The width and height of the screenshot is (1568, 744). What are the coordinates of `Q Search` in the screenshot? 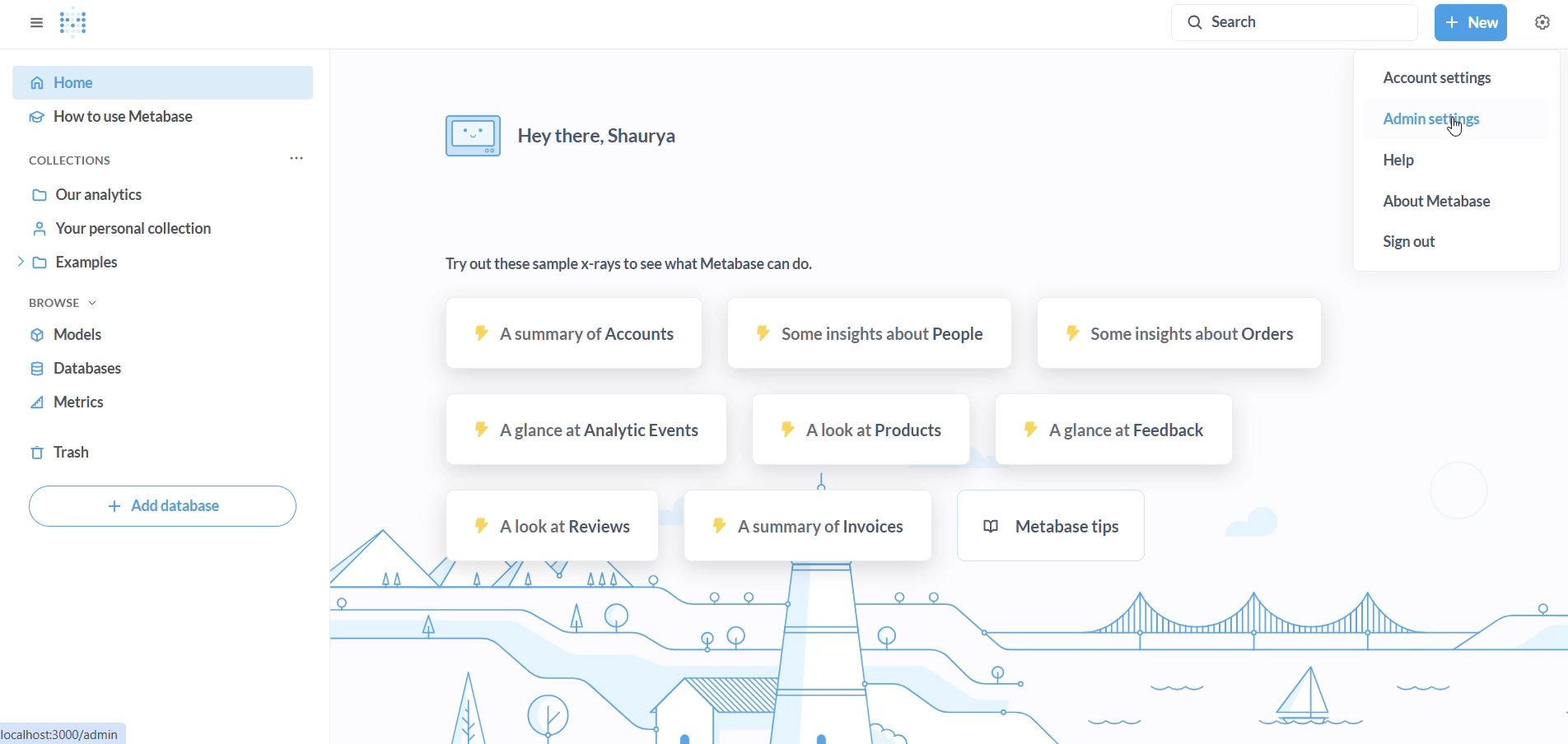 It's located at (1292, 23).